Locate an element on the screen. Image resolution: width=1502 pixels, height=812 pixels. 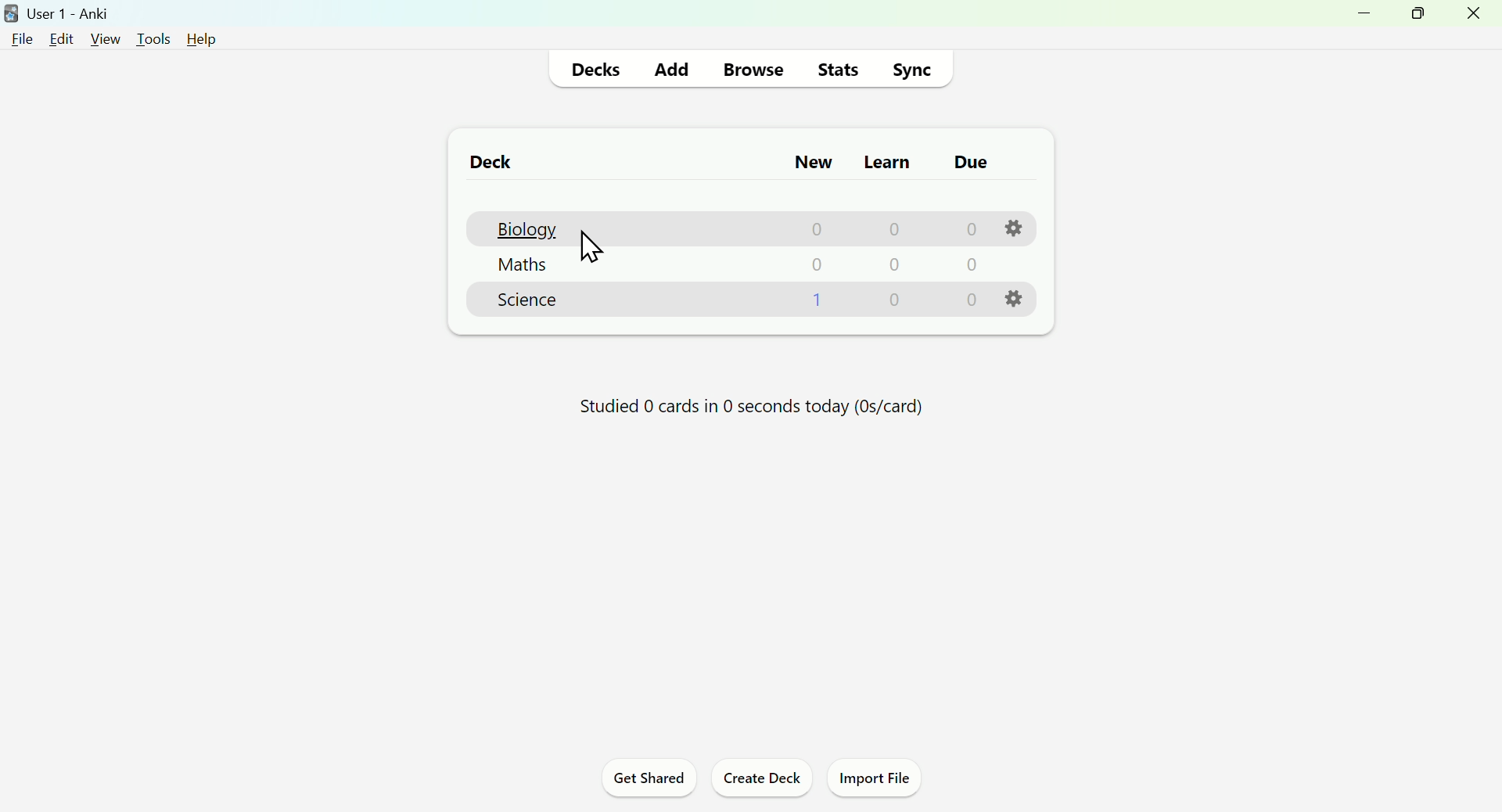
Add is located at coordinates (671, 69).